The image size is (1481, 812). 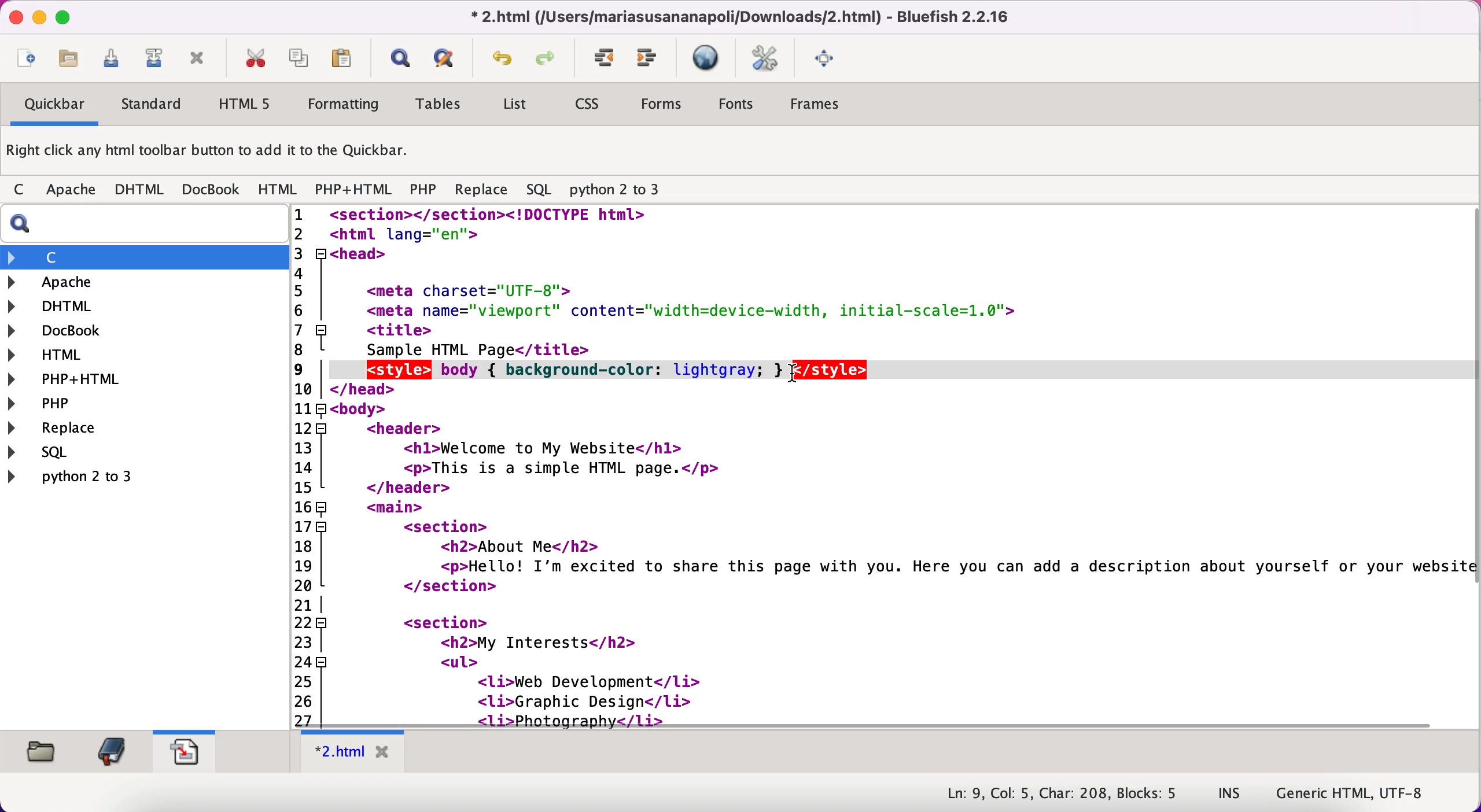 What do you see at coordinates (80, 429) in the screenshot?
I see `replace` at bounding box center [80, 429].